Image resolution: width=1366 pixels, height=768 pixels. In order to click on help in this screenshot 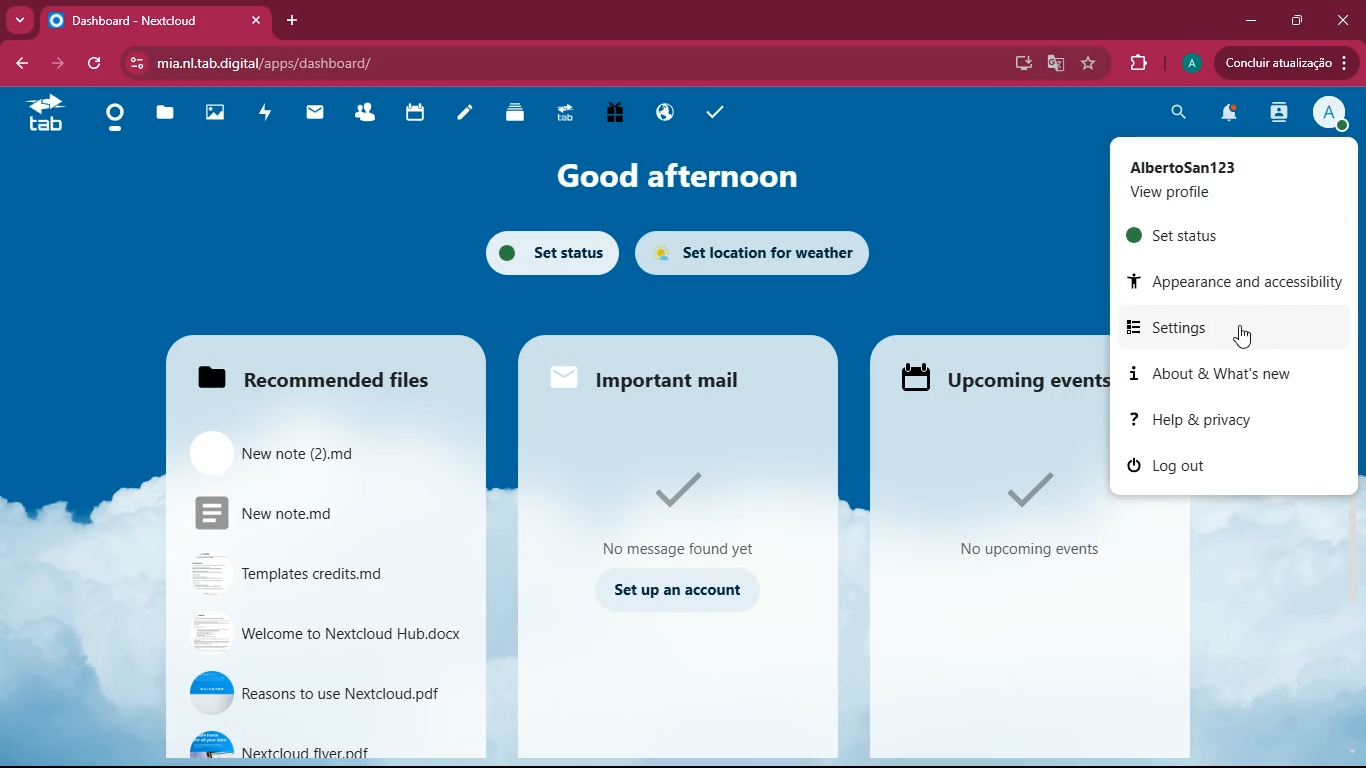, I will do `click(1214, 420)`.